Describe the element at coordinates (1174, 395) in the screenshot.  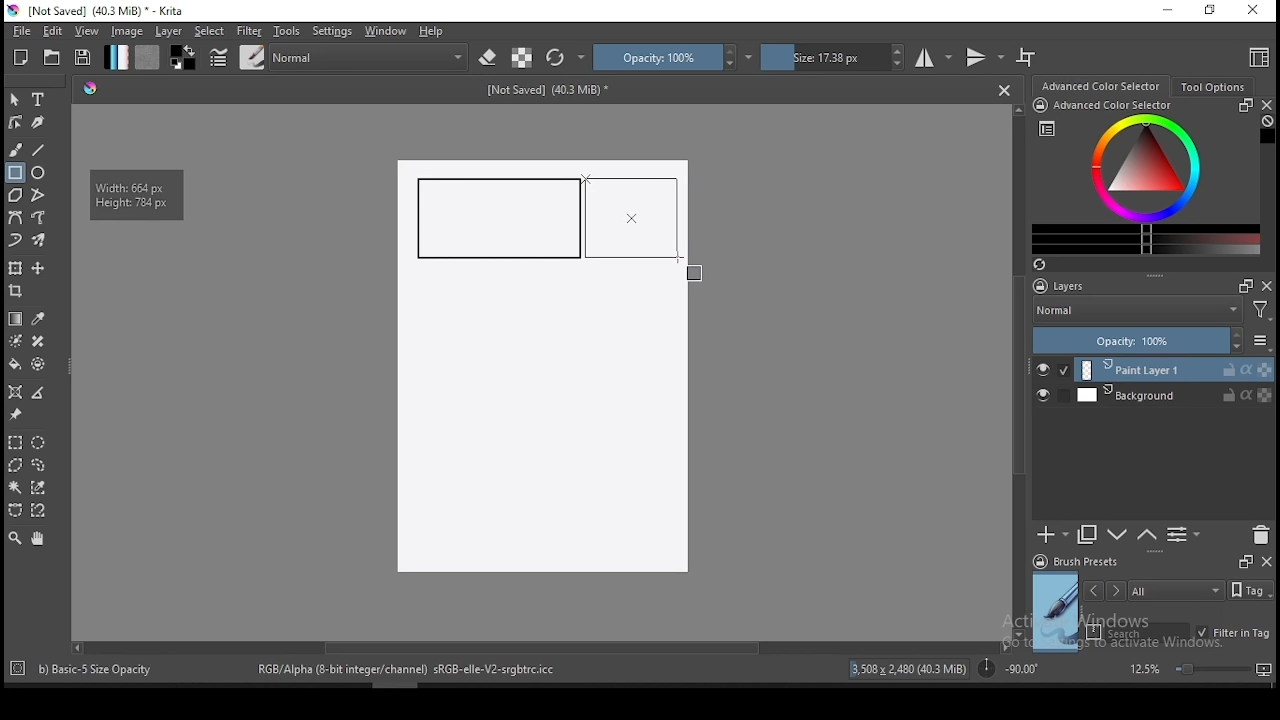
I see `layer` at that location.